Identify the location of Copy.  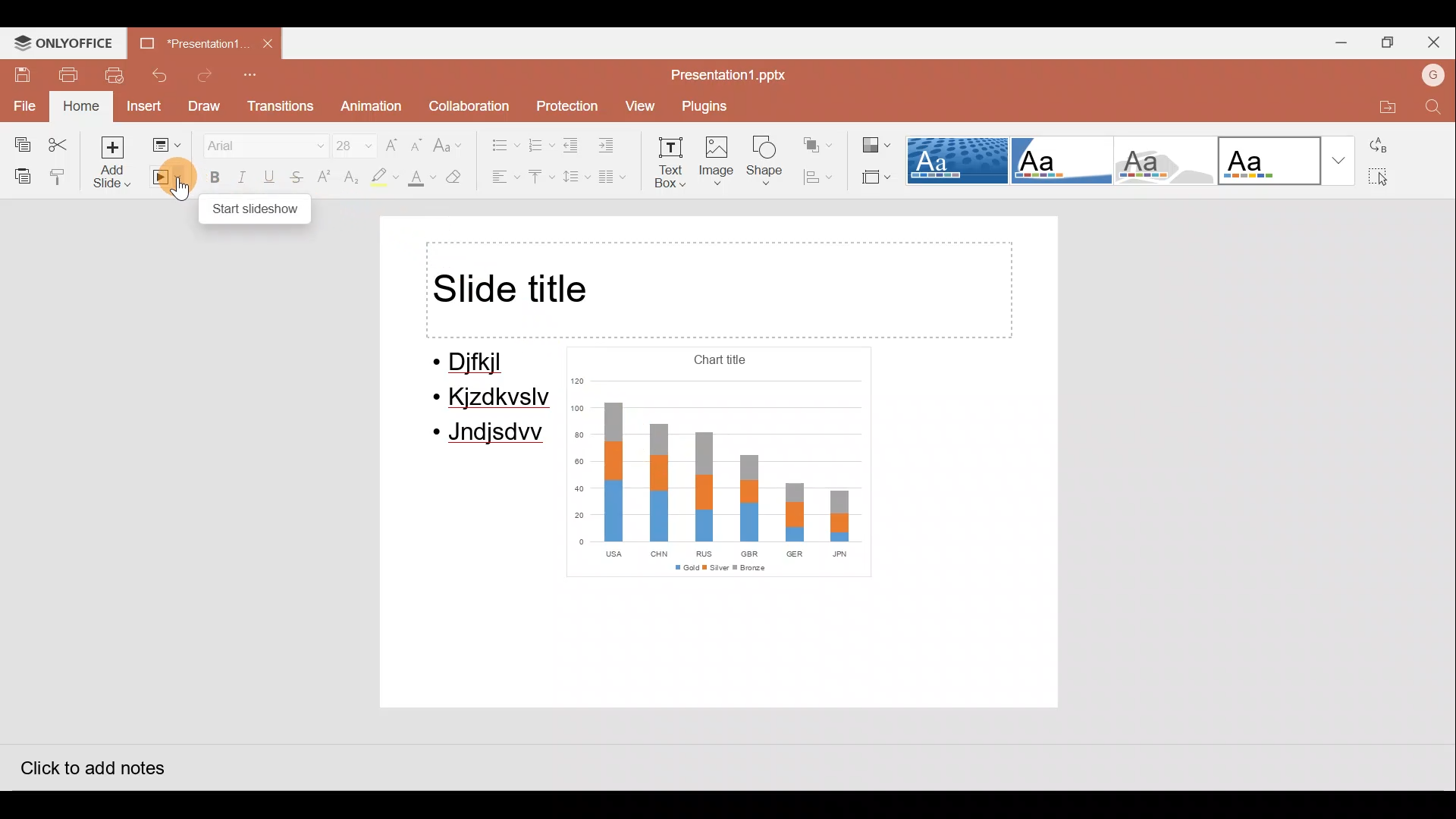
(21, 145).